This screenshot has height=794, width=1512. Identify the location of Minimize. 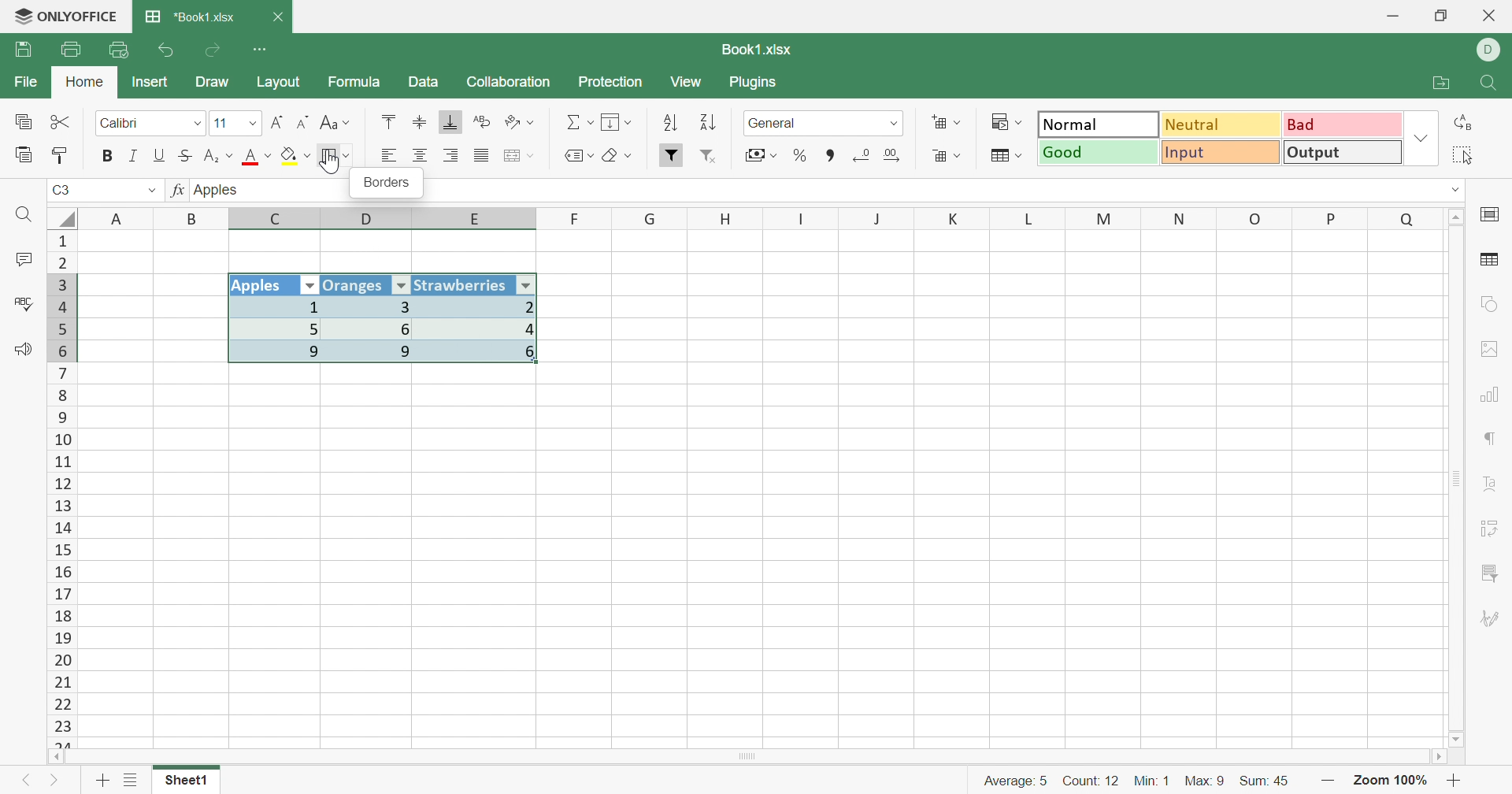
(1392, 17).